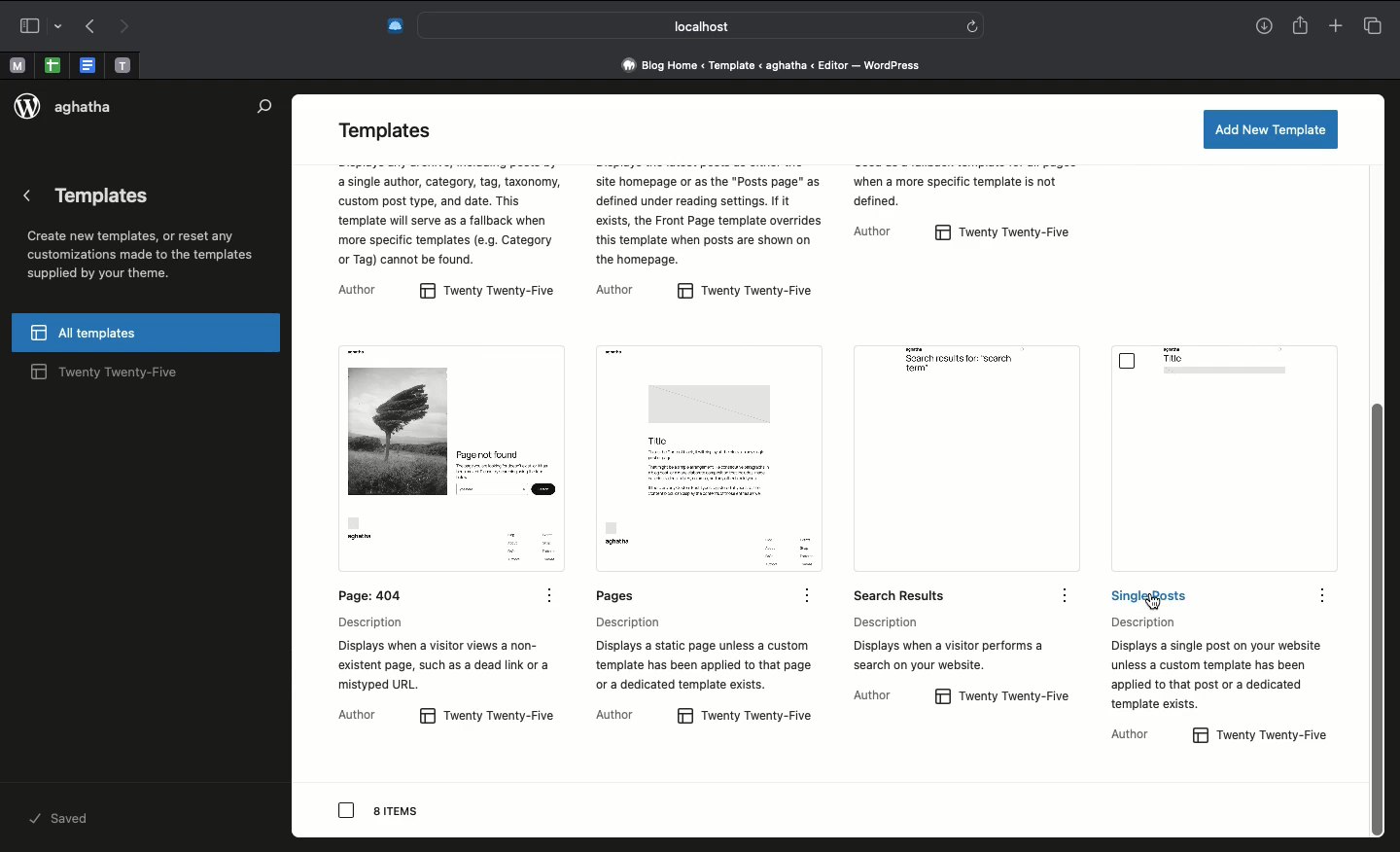 This screenshot has height=852, width=1400. What do you see at coordinates (125, 27) in the screenshot?
I see `Forward` at bounding box center [125, 27].